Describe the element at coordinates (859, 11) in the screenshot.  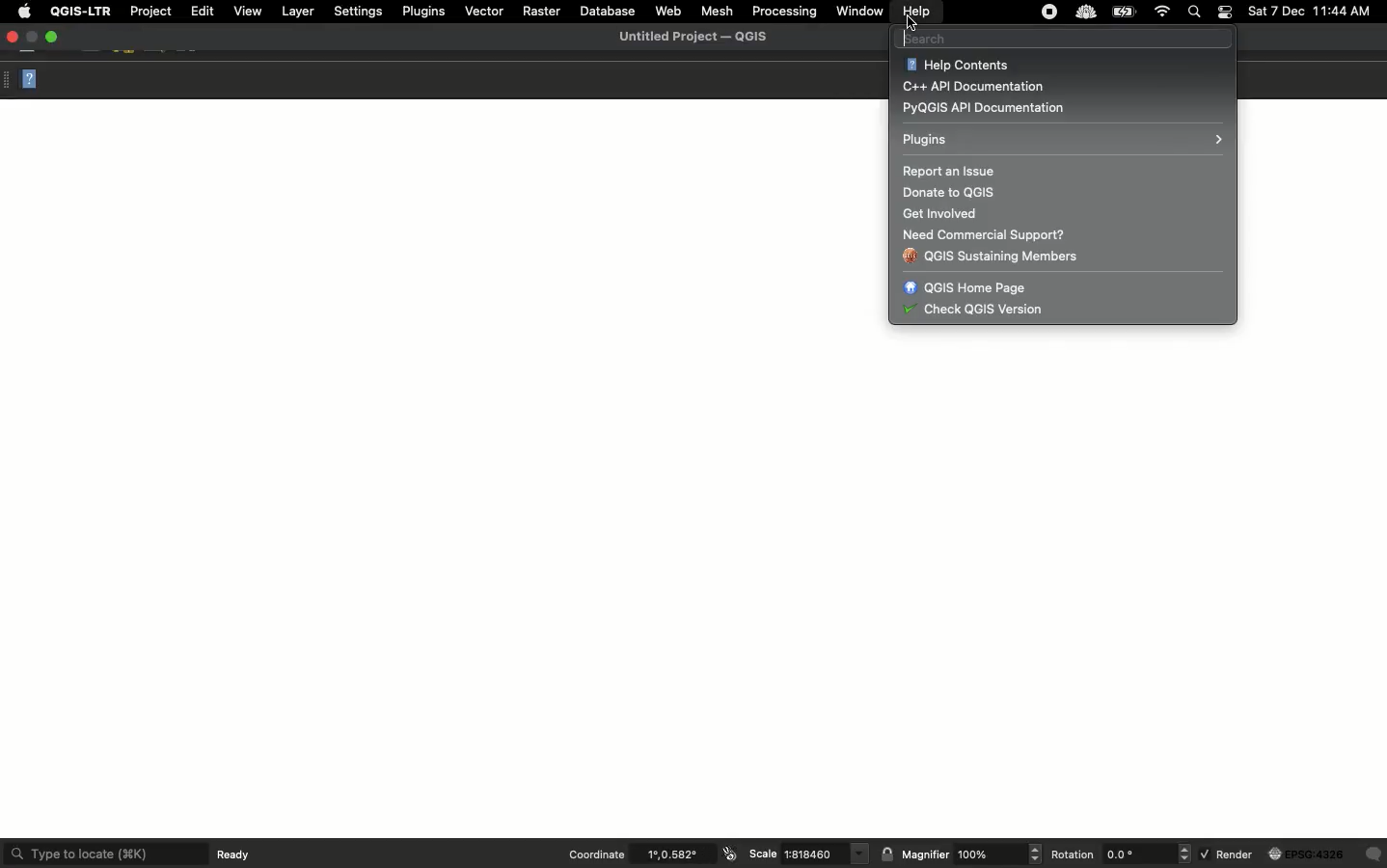
I see `Window` at that location.